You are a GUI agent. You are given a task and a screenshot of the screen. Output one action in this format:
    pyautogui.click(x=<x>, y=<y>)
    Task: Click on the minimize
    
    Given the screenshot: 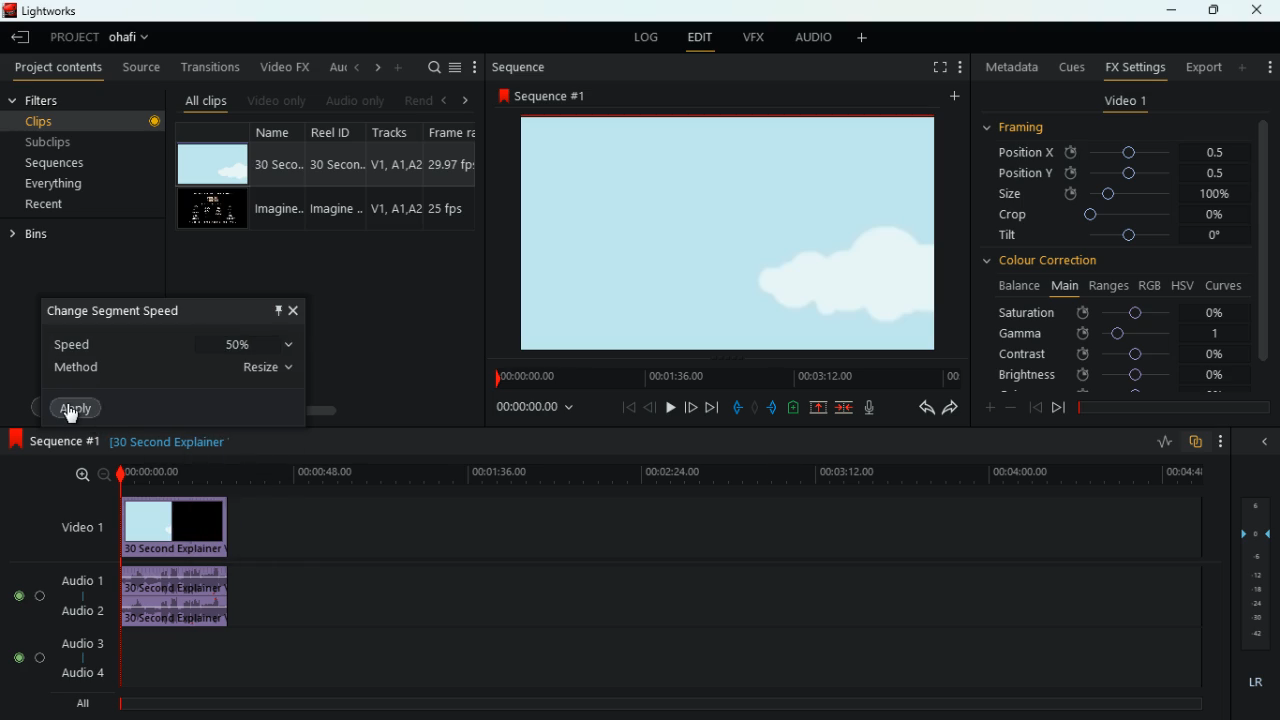 What is the action you would take?
    pyautogui.click(x=1171, y=12)
    